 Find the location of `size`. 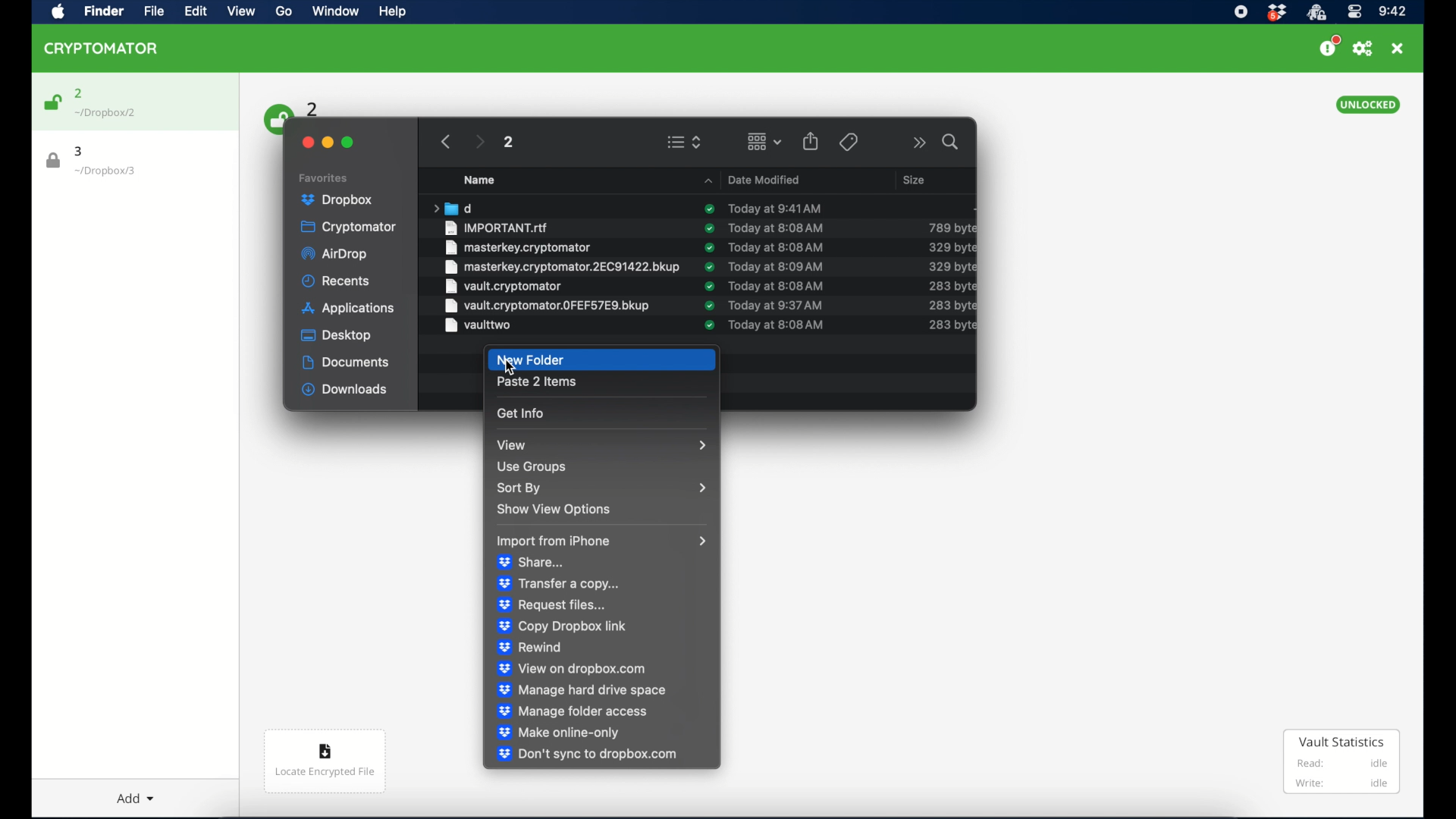

size is located at coordinates (950, 287).